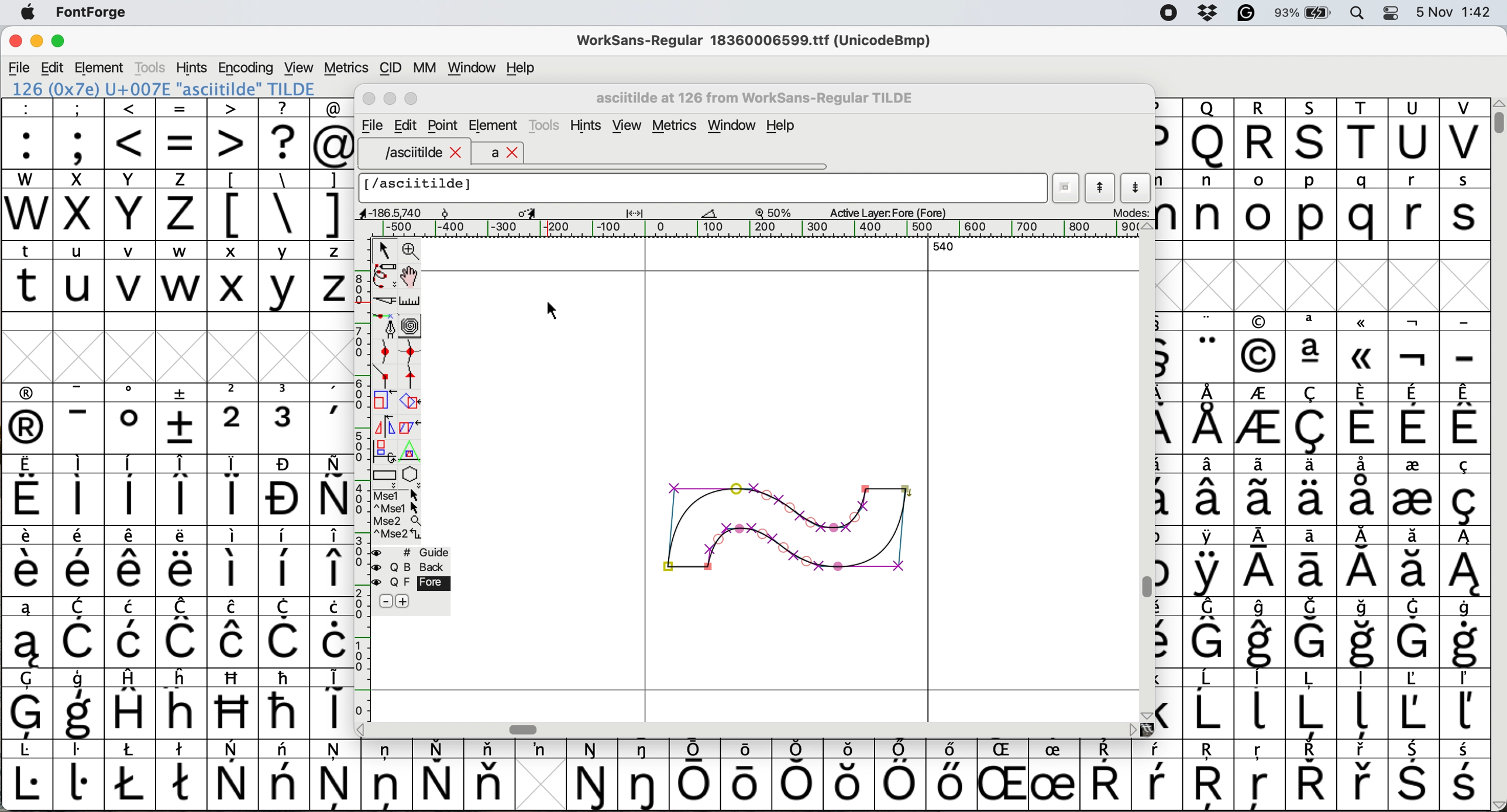 The width and height of the screenshot is (1507, 812). I want to click on symbol, so click(1413, 562).